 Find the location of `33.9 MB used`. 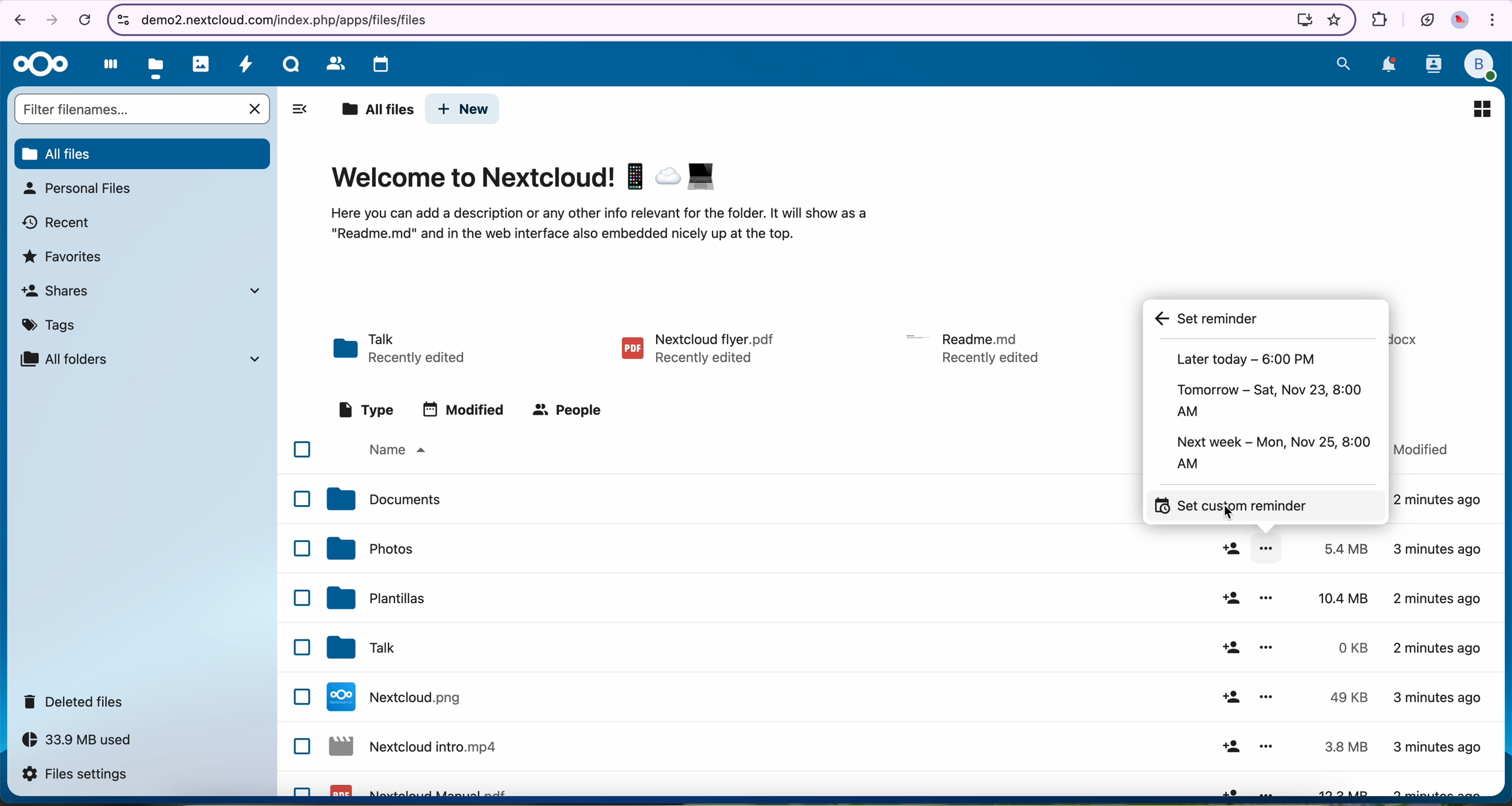

33.9 MB used is located at coordinates (77, 741).